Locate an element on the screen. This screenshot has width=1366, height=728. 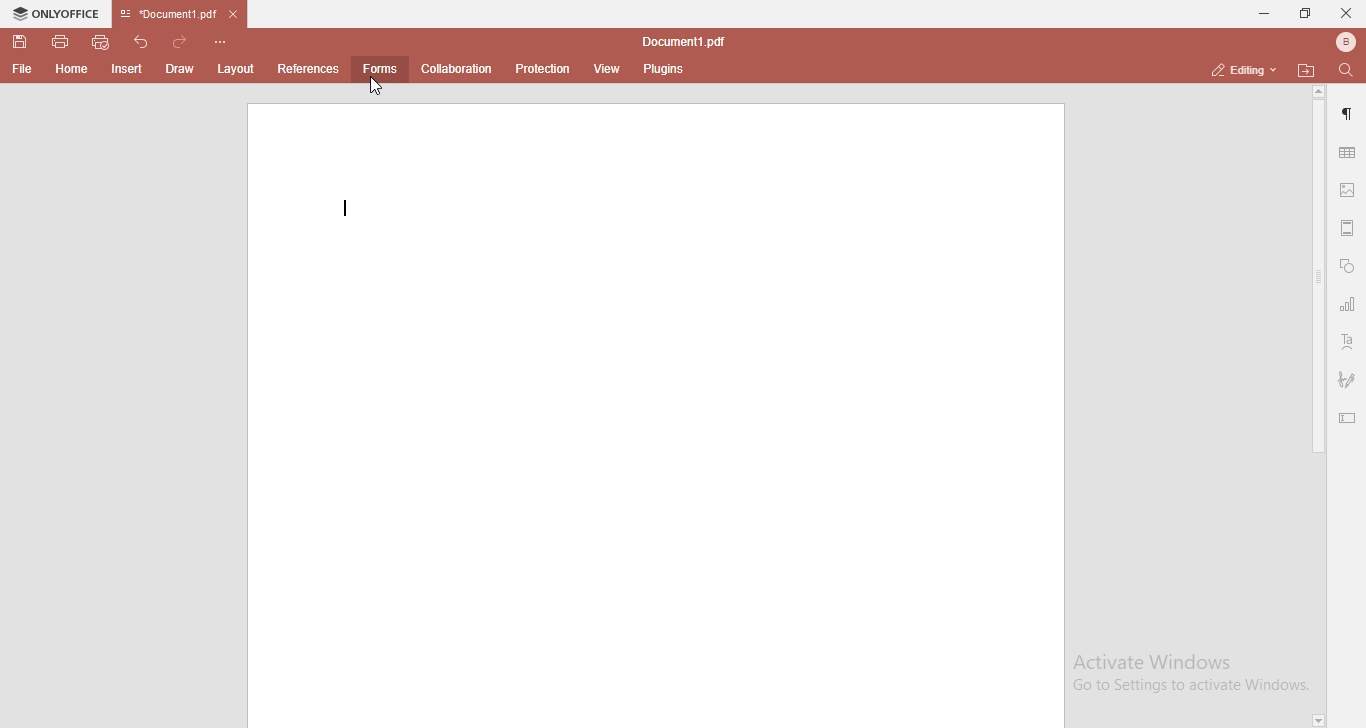
view is located at coordinates (608, 69).